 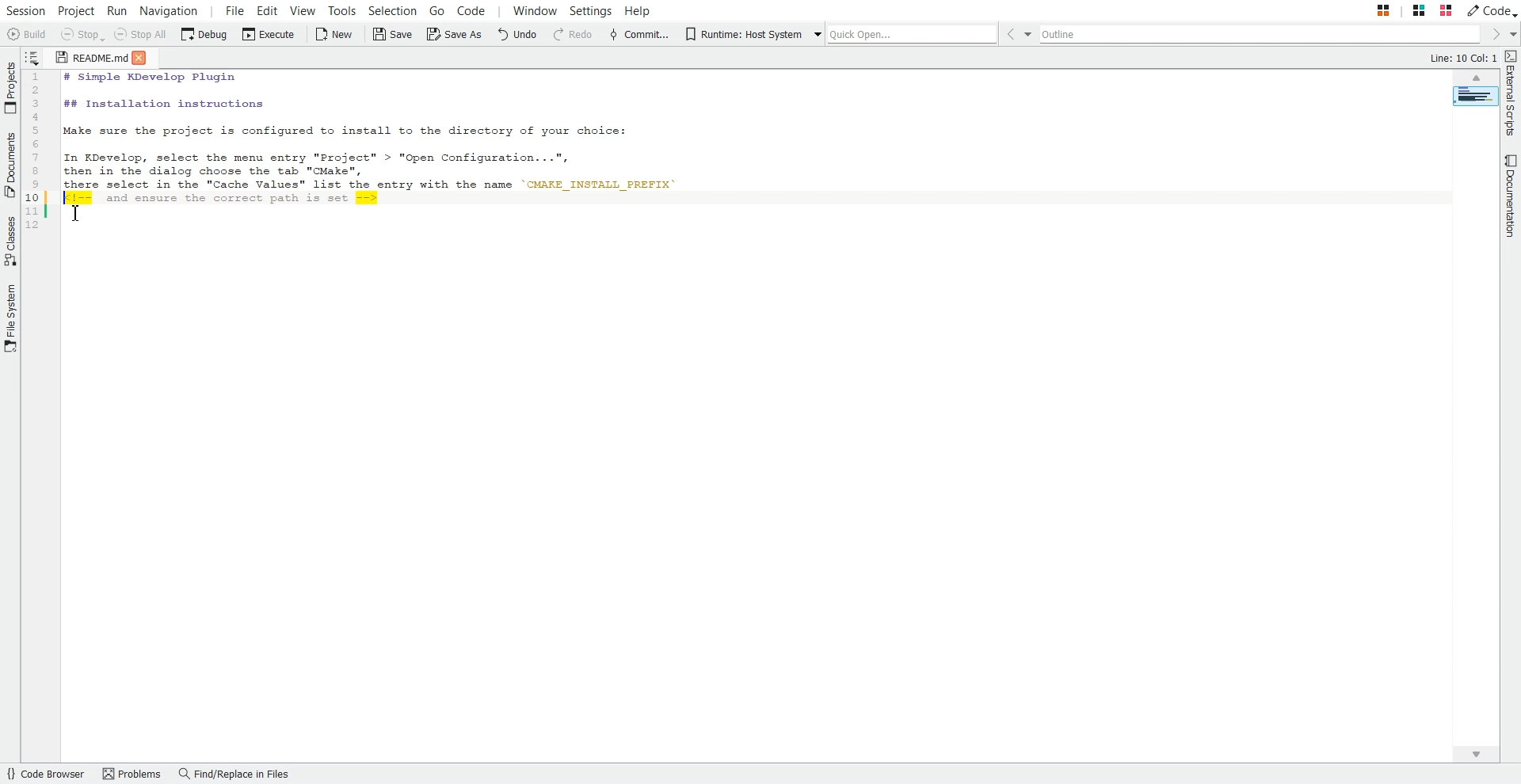 What do you see at coordinates (10, 88) in the screenshot?
I see `Projects` at bounding box center [10, 88].